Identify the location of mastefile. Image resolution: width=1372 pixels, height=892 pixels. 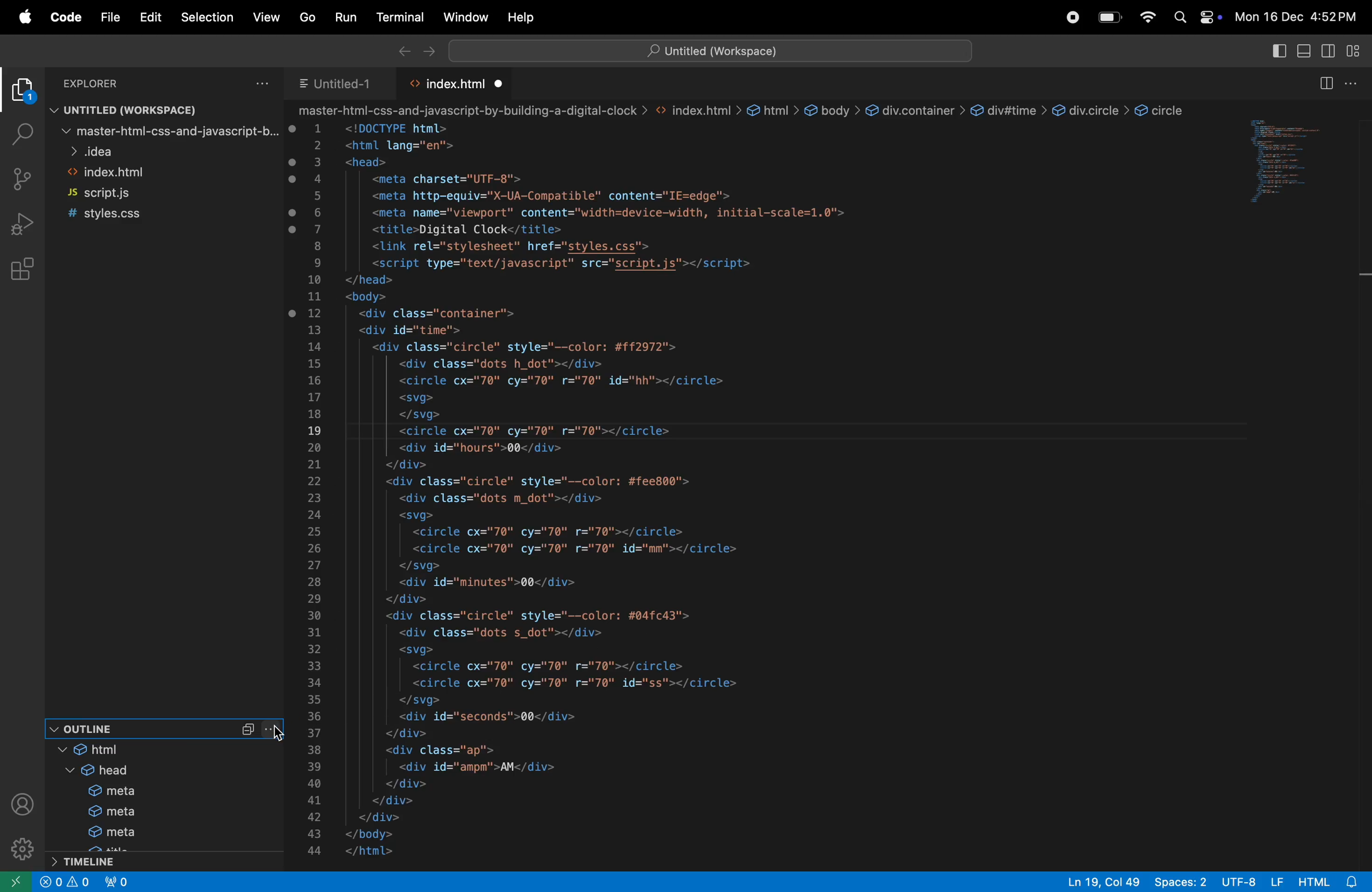
(165, 131).